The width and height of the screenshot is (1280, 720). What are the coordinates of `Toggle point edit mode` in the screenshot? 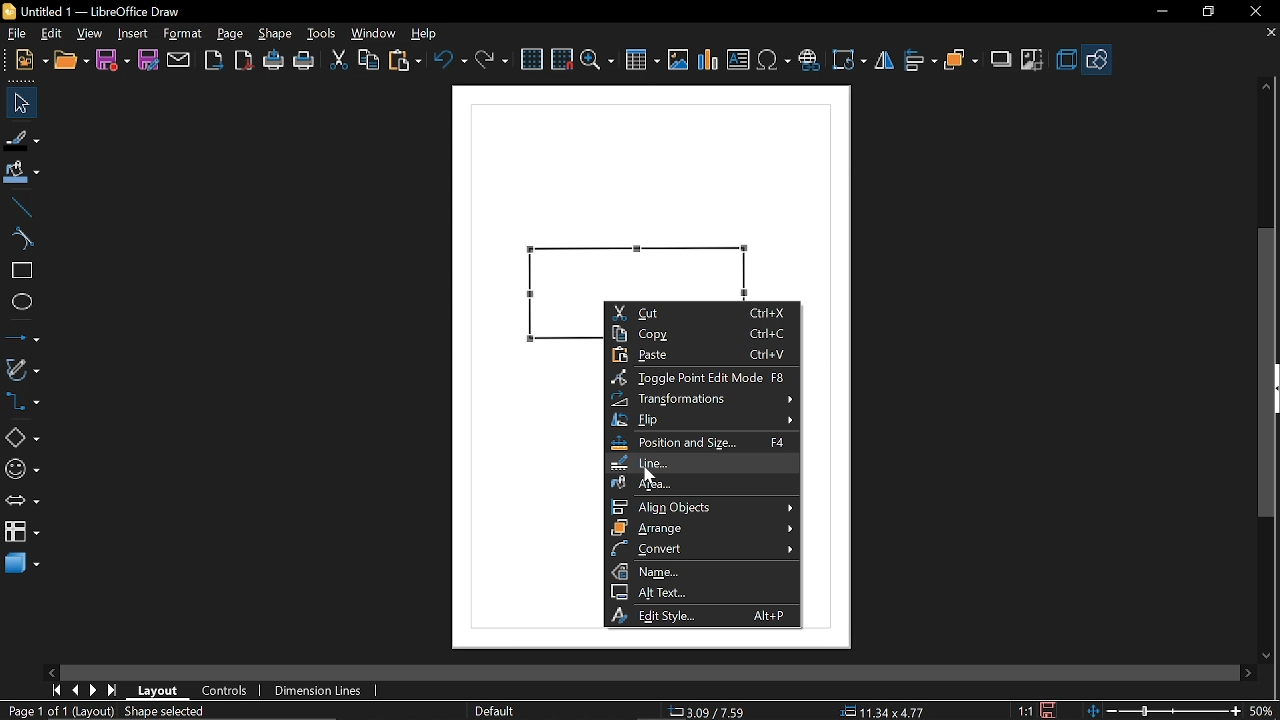 It's located at (698, 378).